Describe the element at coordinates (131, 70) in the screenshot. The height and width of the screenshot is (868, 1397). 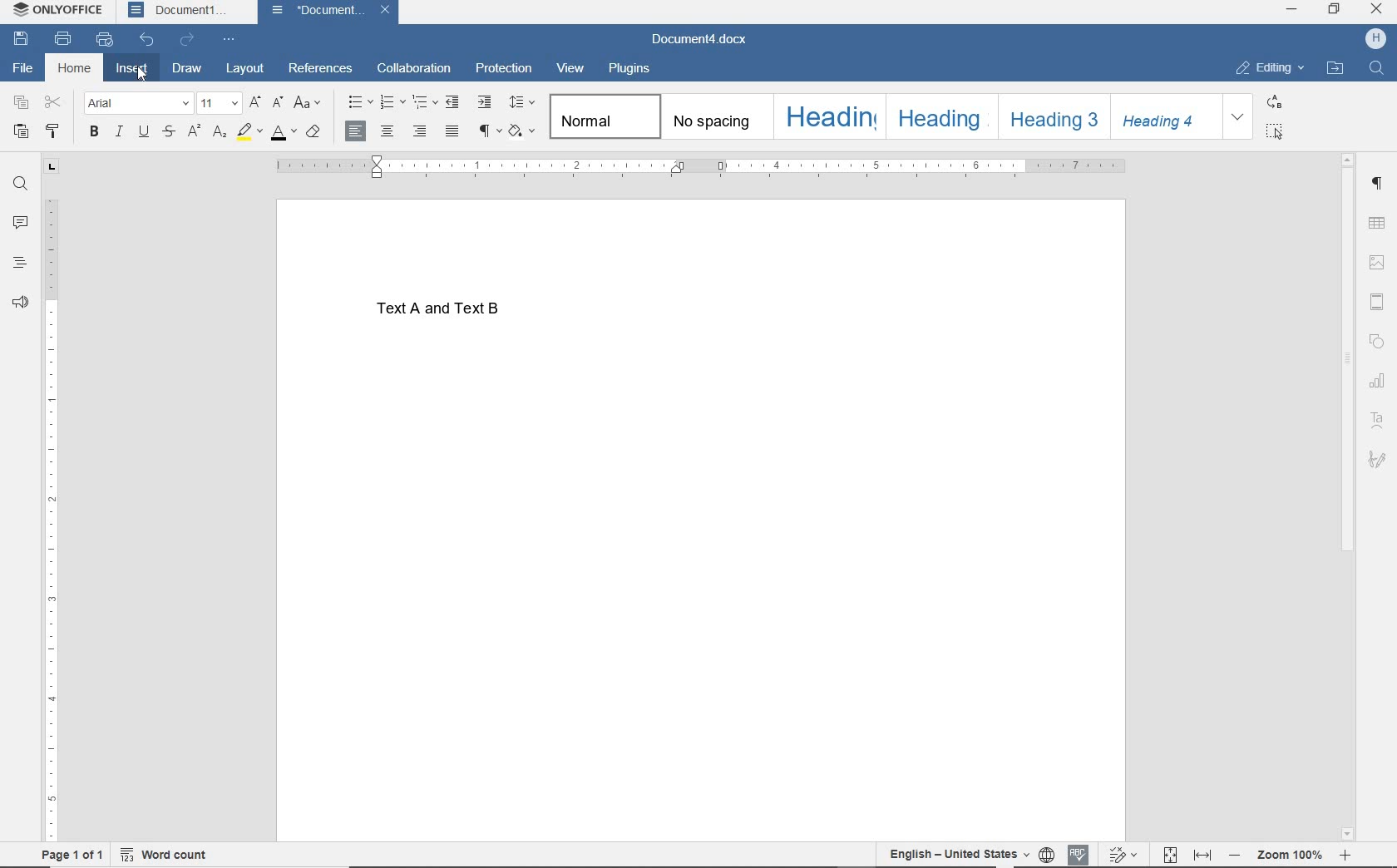
I see `INSERT` at that location.